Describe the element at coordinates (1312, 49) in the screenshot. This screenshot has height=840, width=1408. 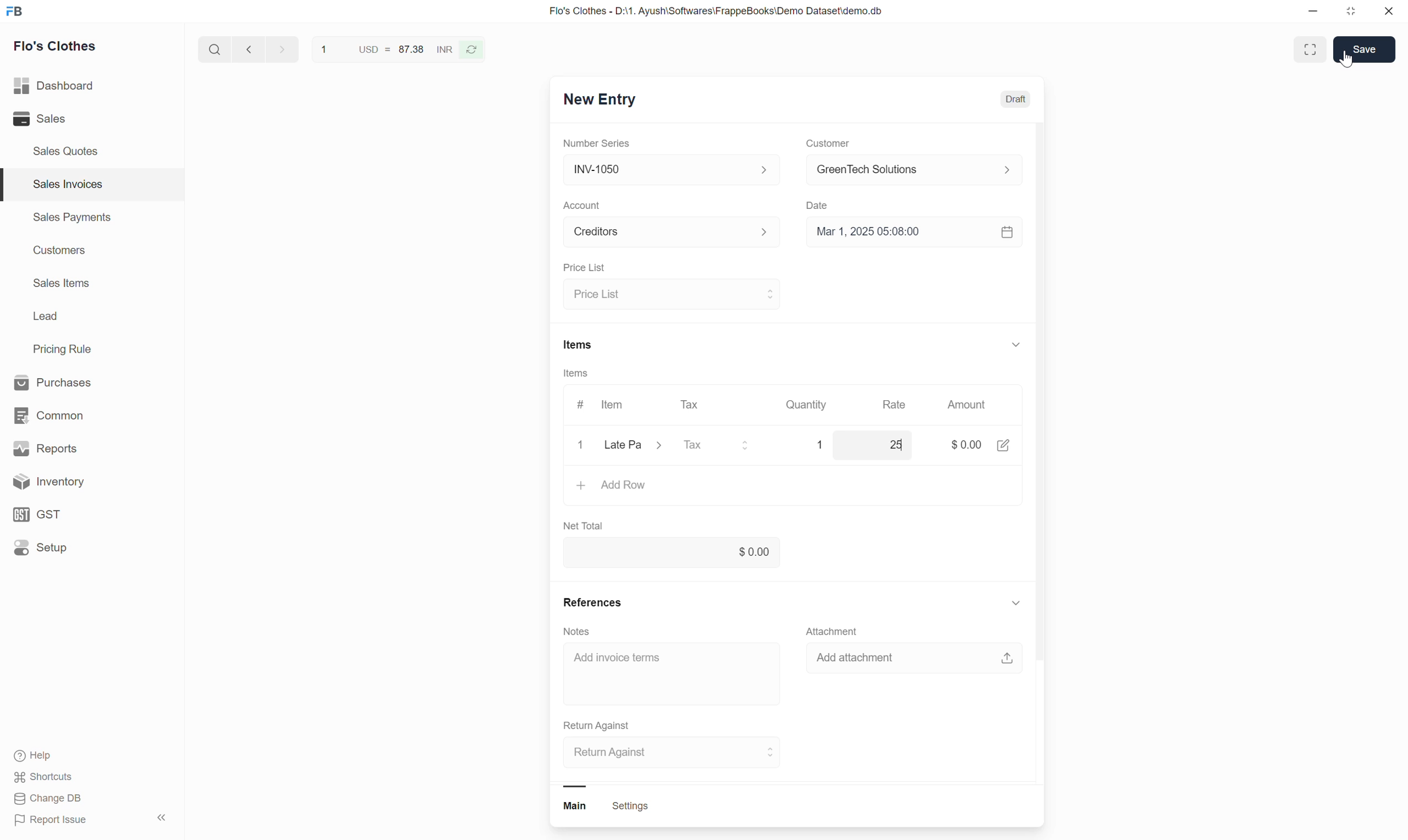
I see `full screen` at that location.